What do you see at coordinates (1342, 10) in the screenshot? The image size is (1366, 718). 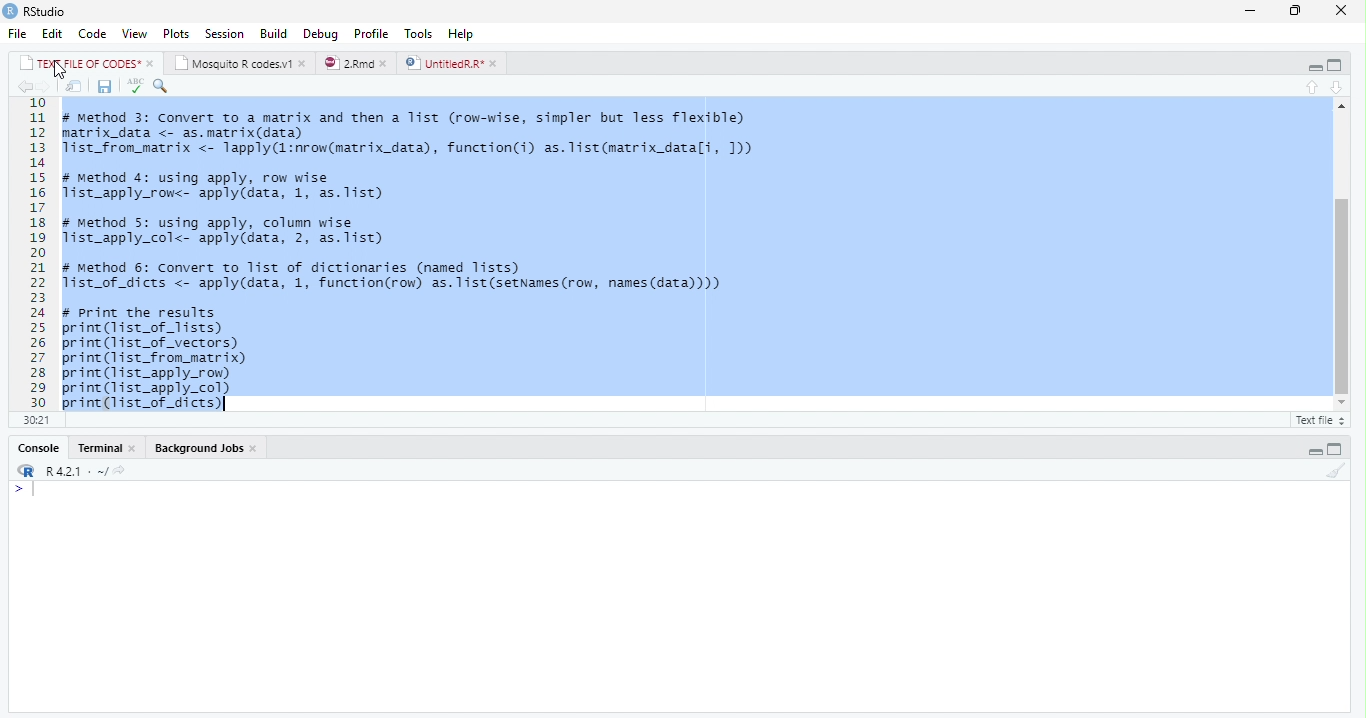 I see `Close` at bounding box center [1342, 10].